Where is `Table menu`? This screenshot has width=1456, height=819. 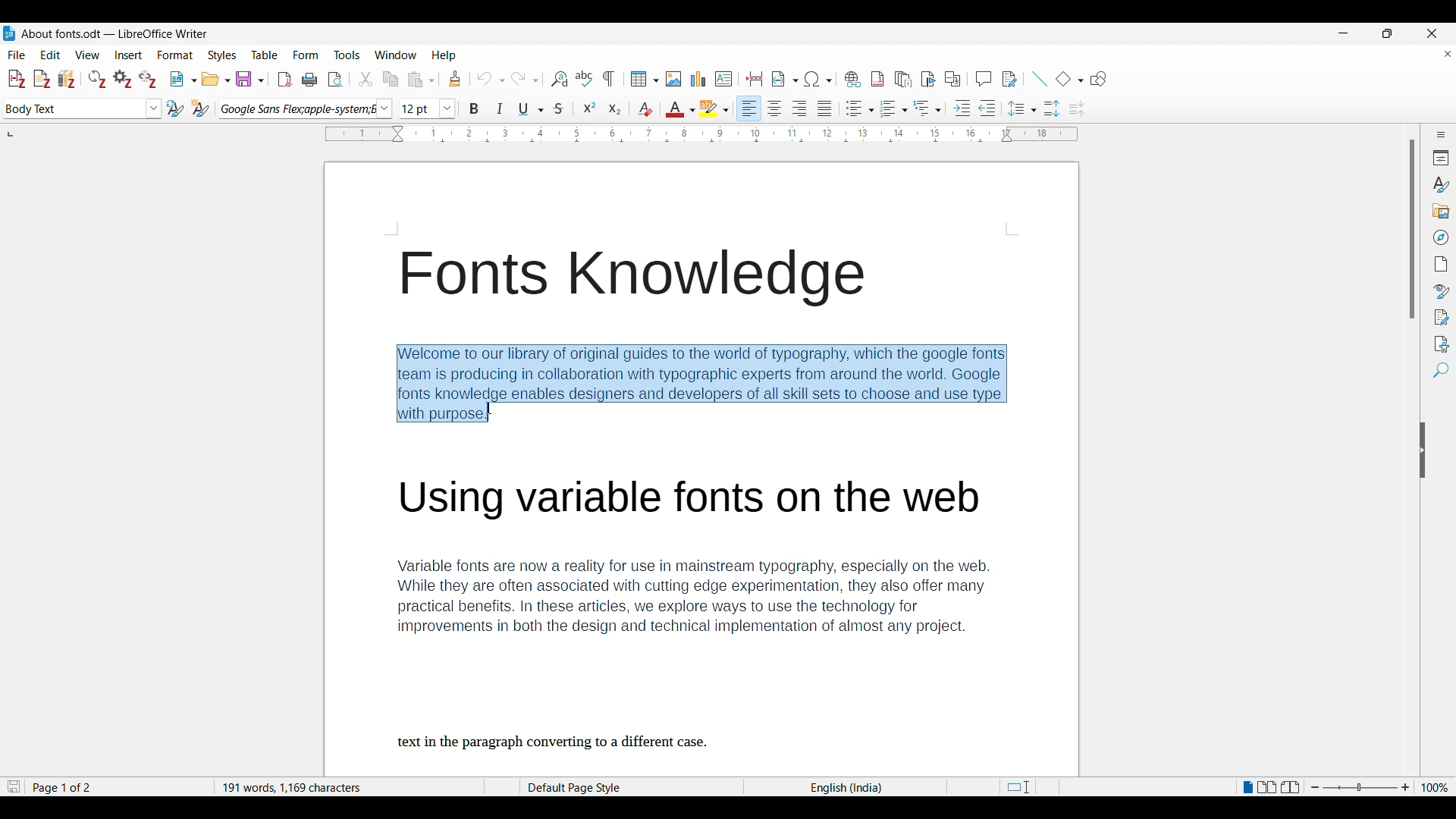 Table menu is located at coordinates (265, 55).